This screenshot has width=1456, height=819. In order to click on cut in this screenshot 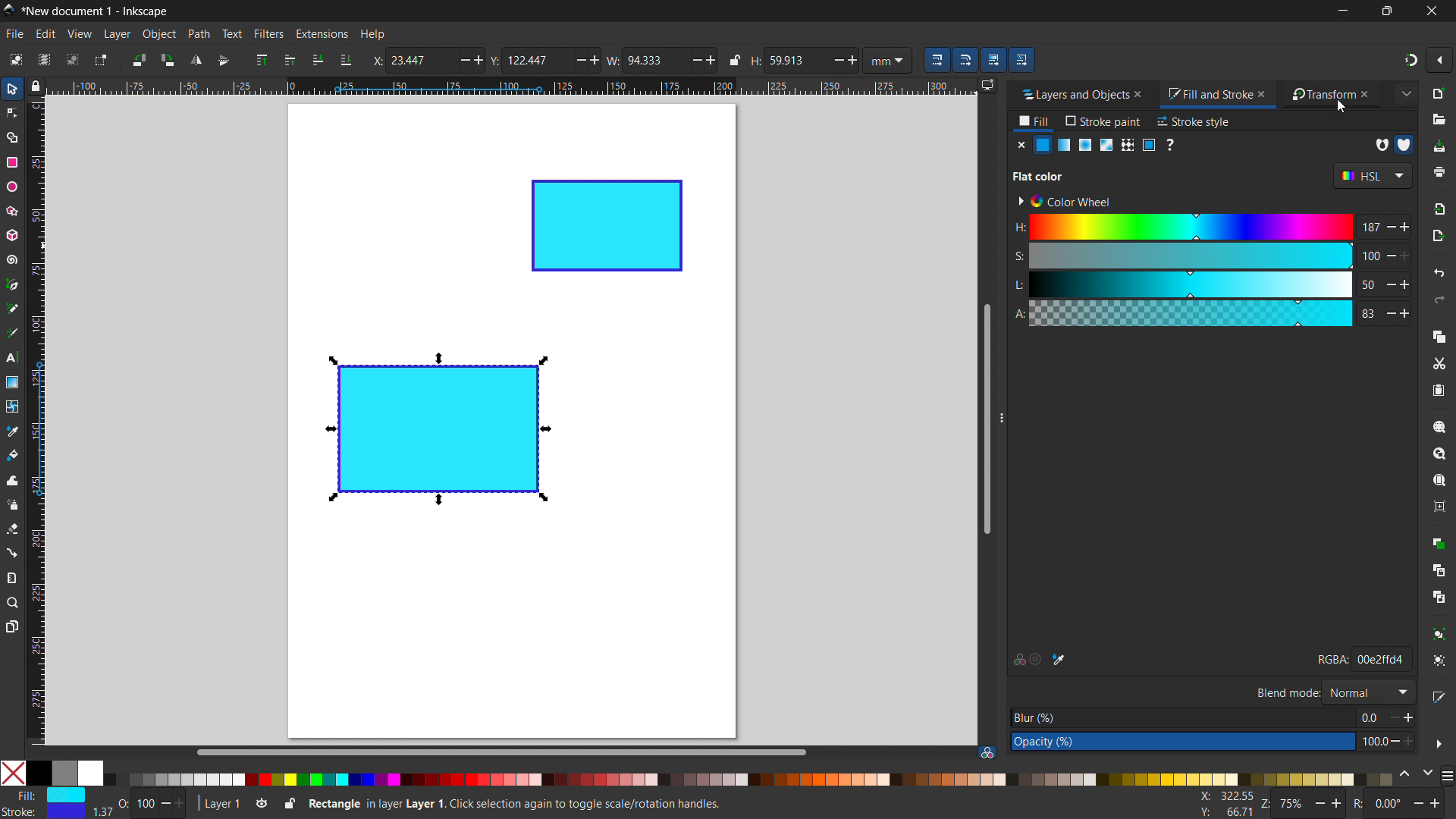, I will do `click(1439, 365)`.